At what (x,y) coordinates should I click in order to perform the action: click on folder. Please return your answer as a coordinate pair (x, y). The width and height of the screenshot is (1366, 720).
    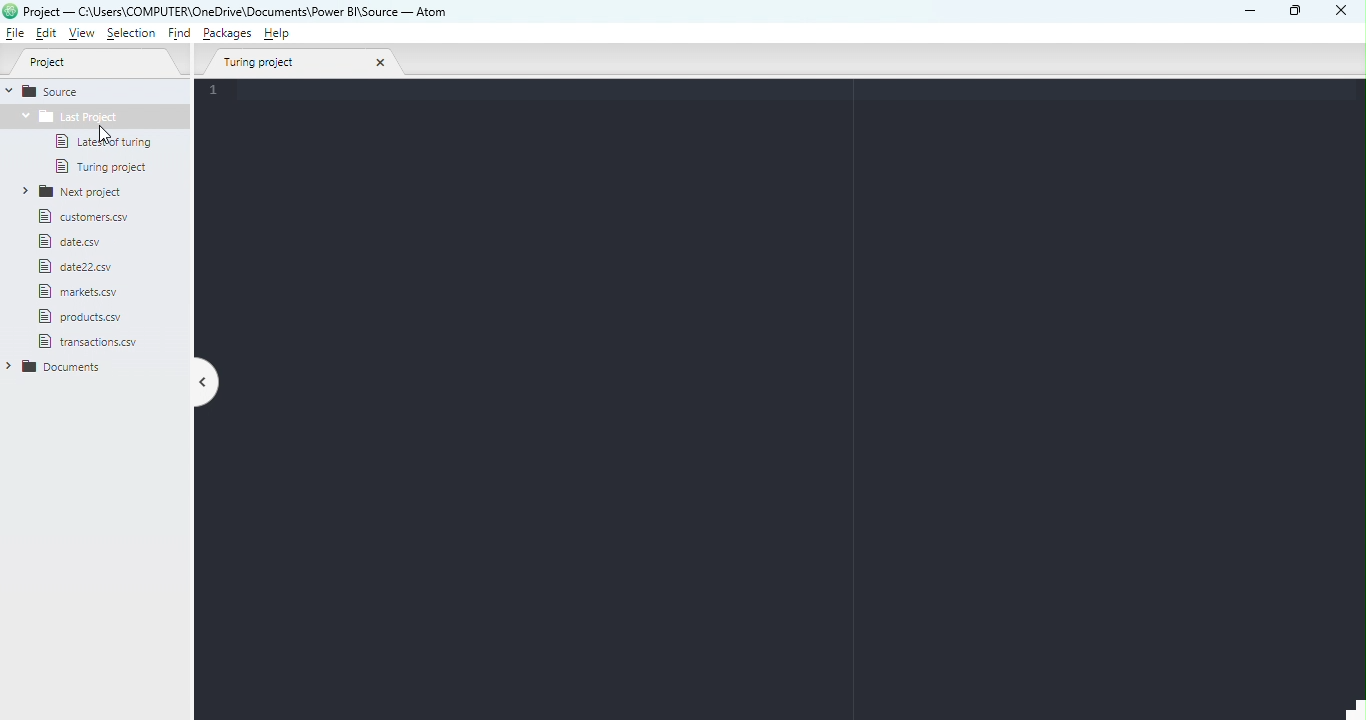
    Looking at the image, I should click on (57, 365).